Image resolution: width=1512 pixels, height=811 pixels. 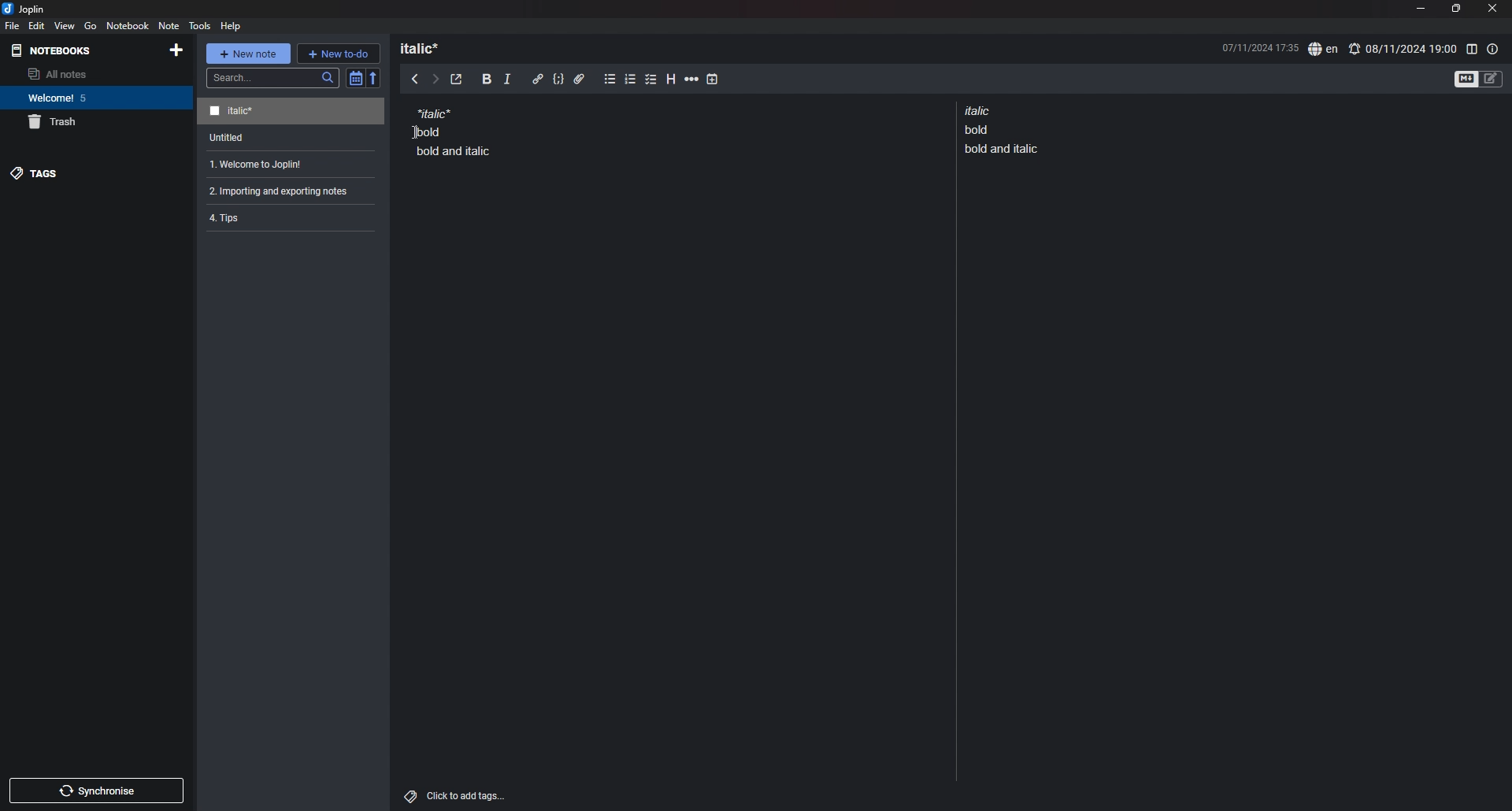 I want to click on go, so click(x=90, y=26).